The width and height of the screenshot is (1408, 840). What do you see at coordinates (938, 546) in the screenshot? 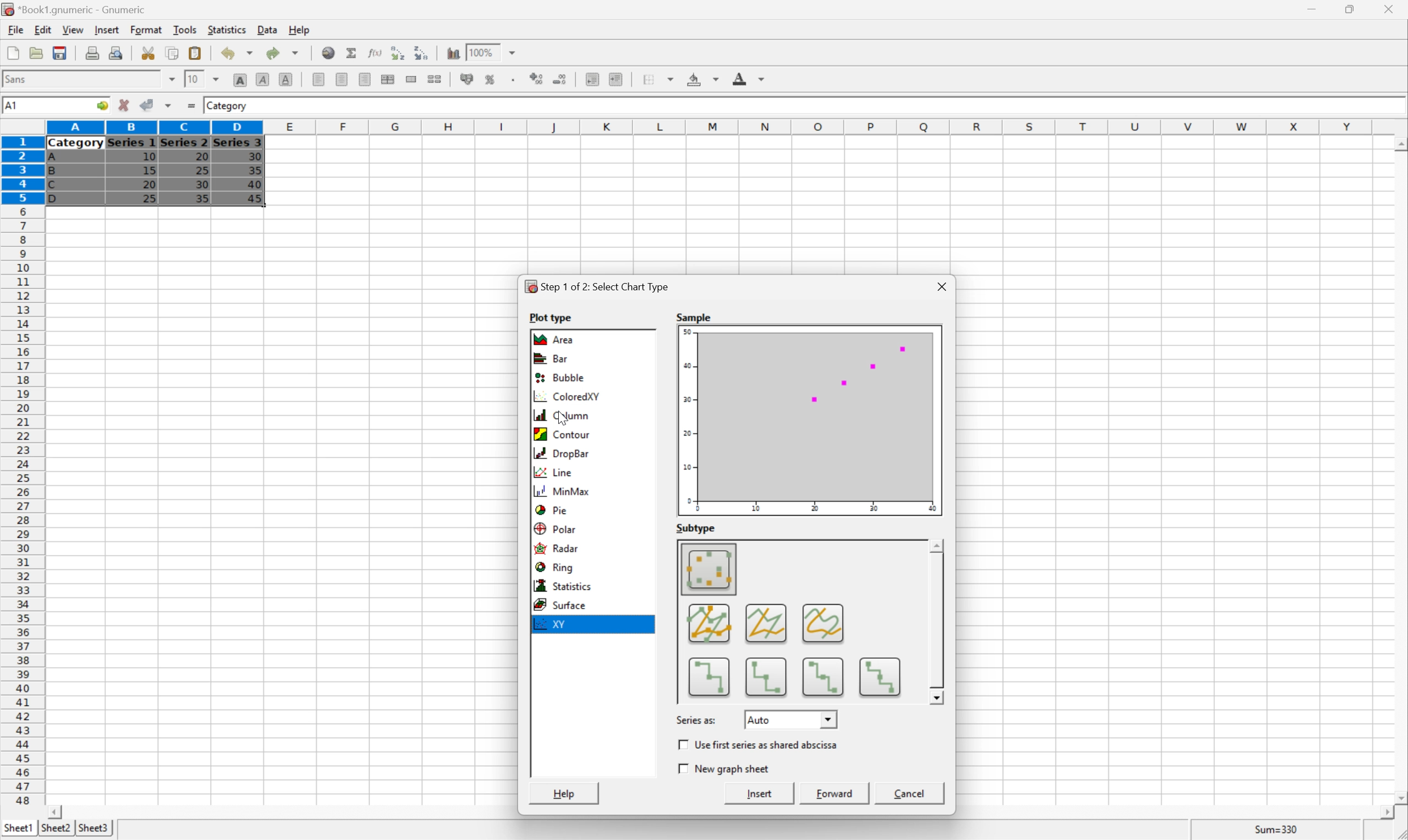
I see `Scroll Up` at bounding box center [938, 546].